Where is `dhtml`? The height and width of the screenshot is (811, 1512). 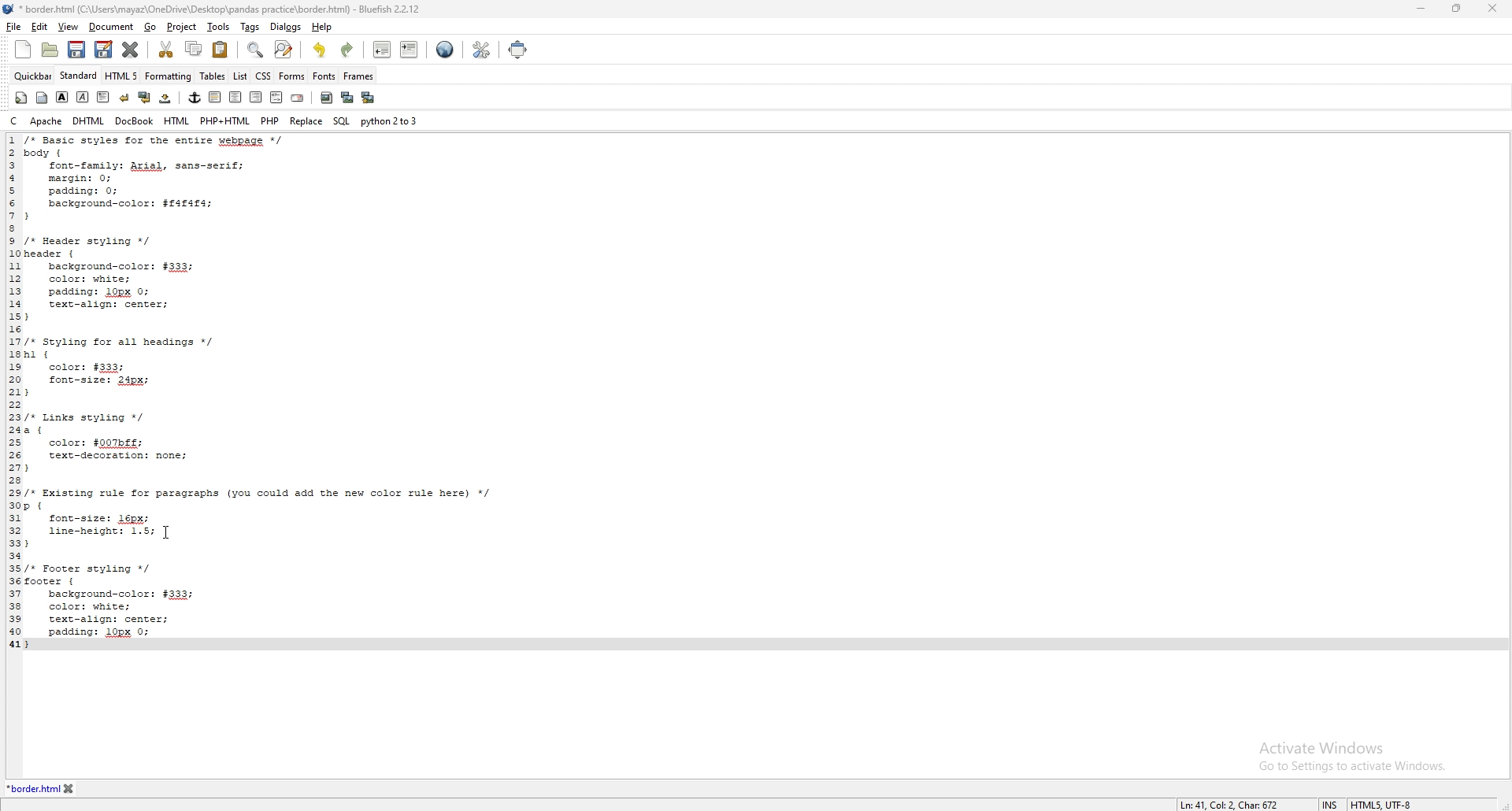 dhtml is located at coordinates (90, 120).